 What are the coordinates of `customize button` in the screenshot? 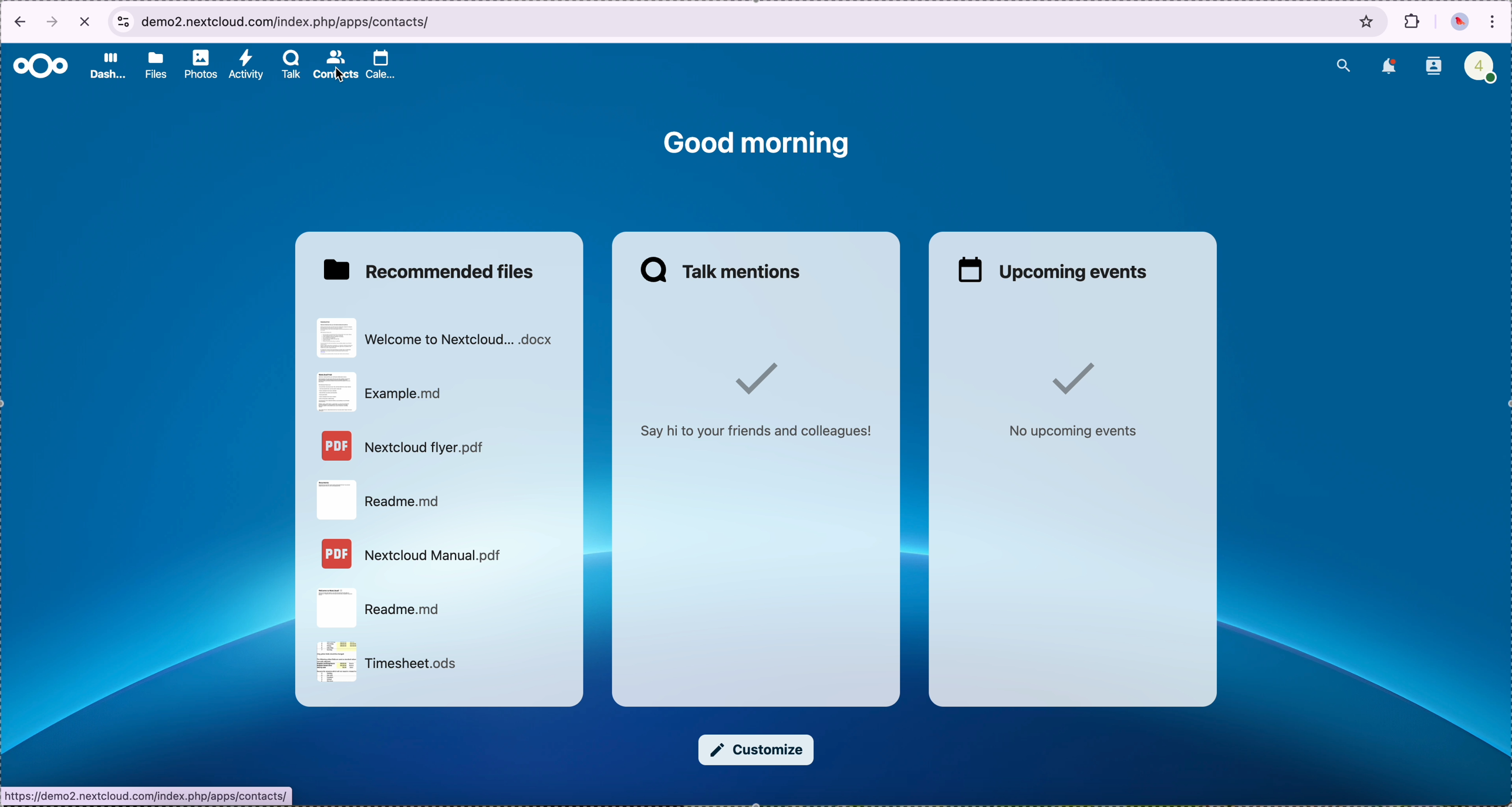 It's located at (758, 751).